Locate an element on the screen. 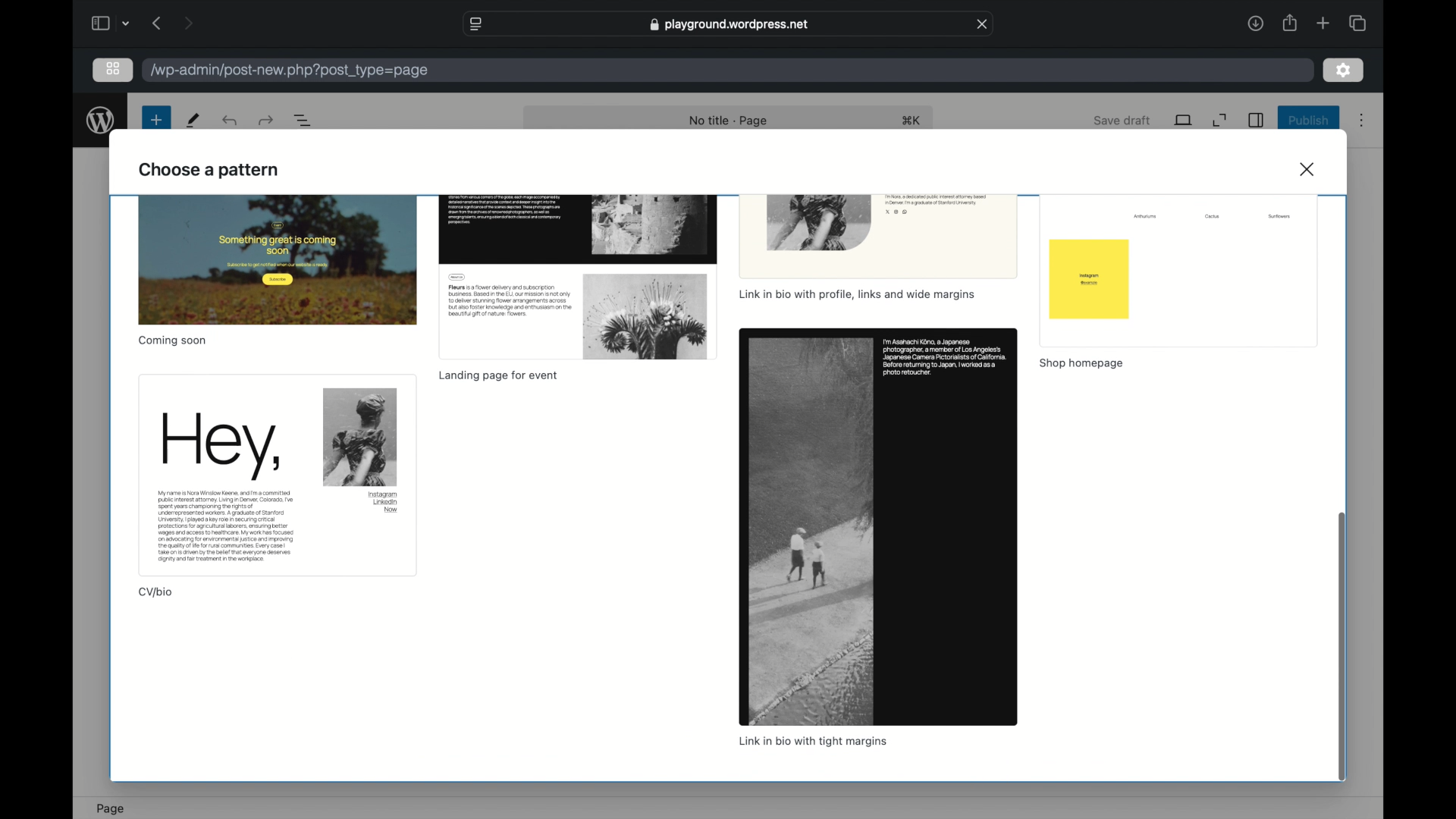 The image size is (1456, 819). web address is located at coordinates (731, 24).